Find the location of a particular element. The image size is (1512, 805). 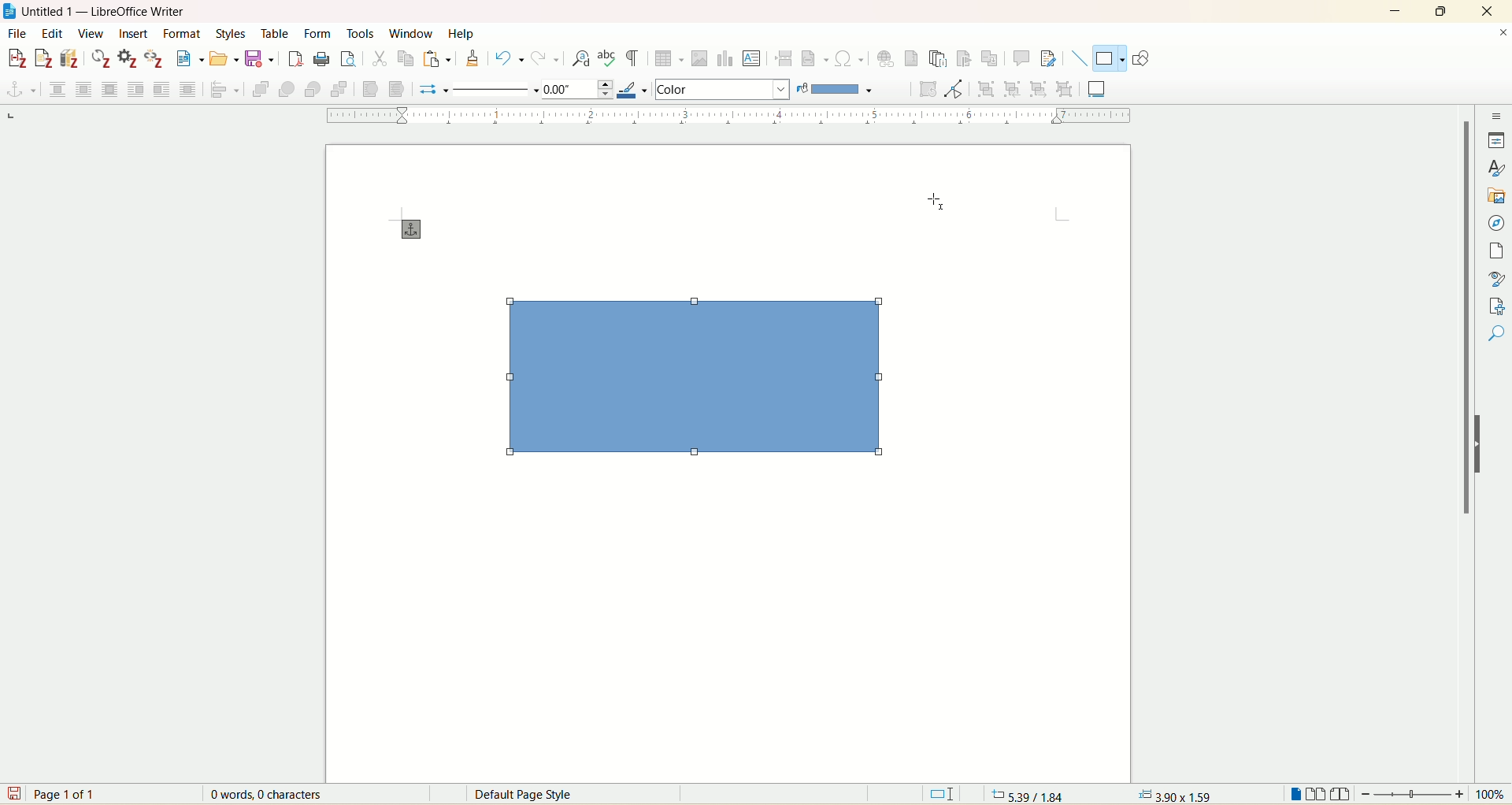

add note is located at coordinates (43, 59).